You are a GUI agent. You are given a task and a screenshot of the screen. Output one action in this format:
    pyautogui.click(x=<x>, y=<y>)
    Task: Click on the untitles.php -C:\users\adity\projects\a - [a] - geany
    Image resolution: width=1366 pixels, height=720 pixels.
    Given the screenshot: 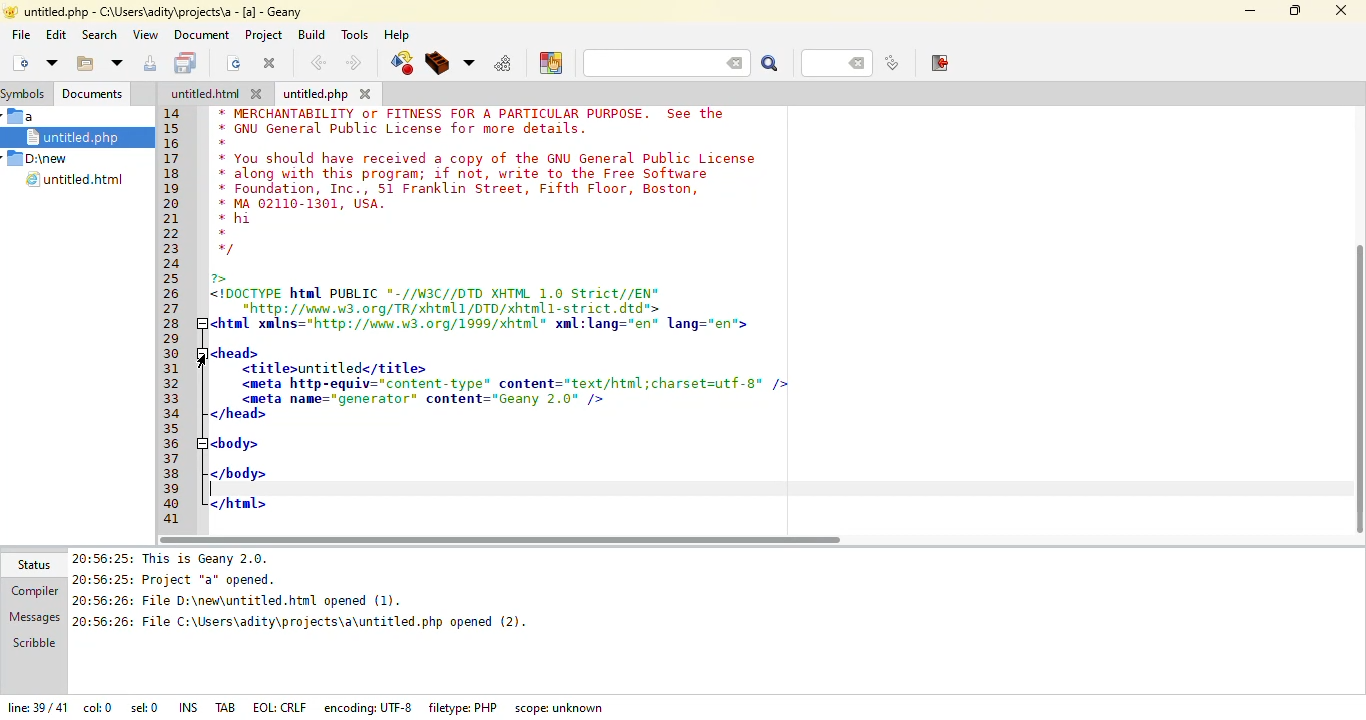 What is the action you would take?
    pyautogui.click(x=186, y=13)
    